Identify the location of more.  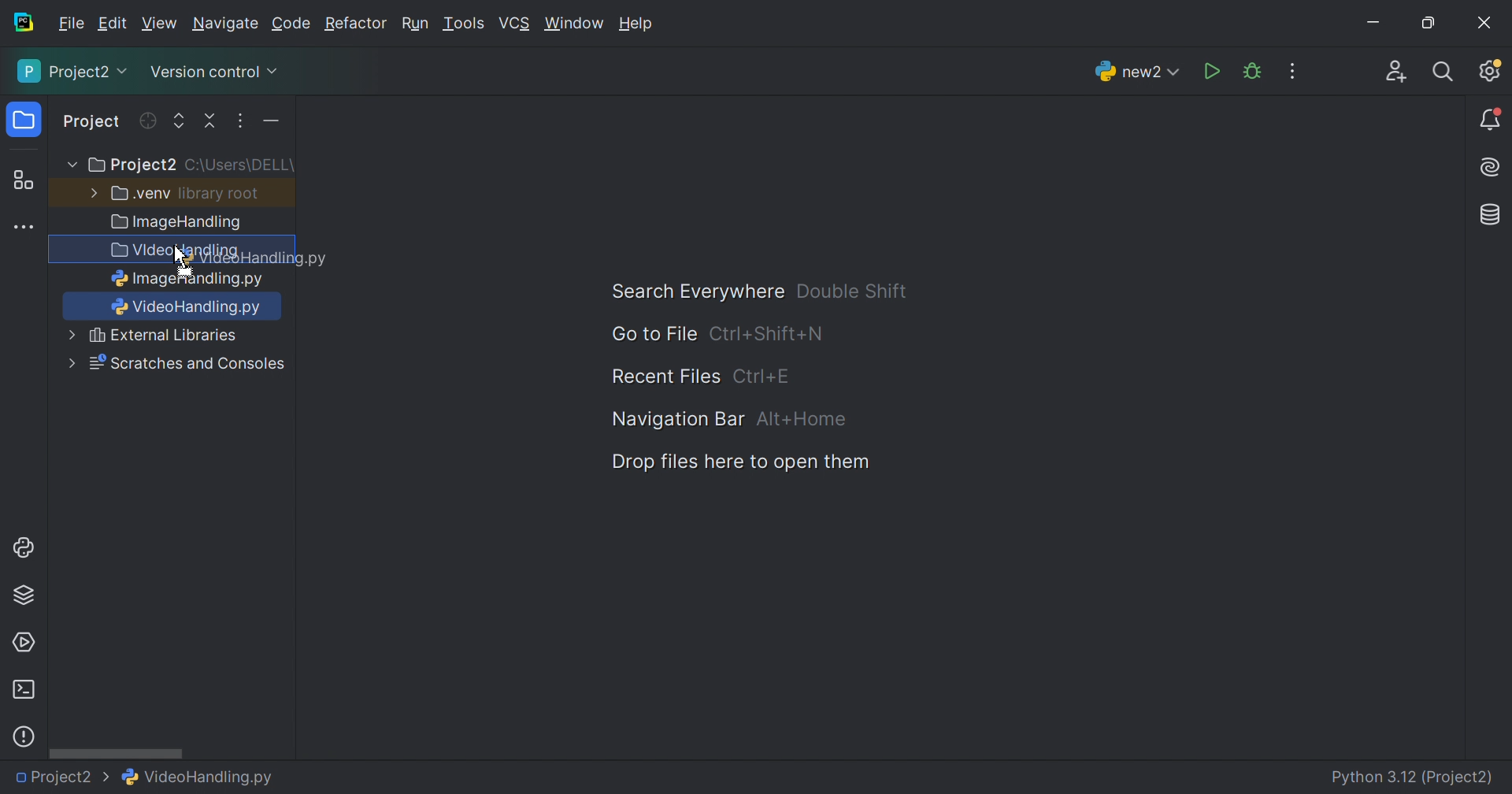
(69, 364).